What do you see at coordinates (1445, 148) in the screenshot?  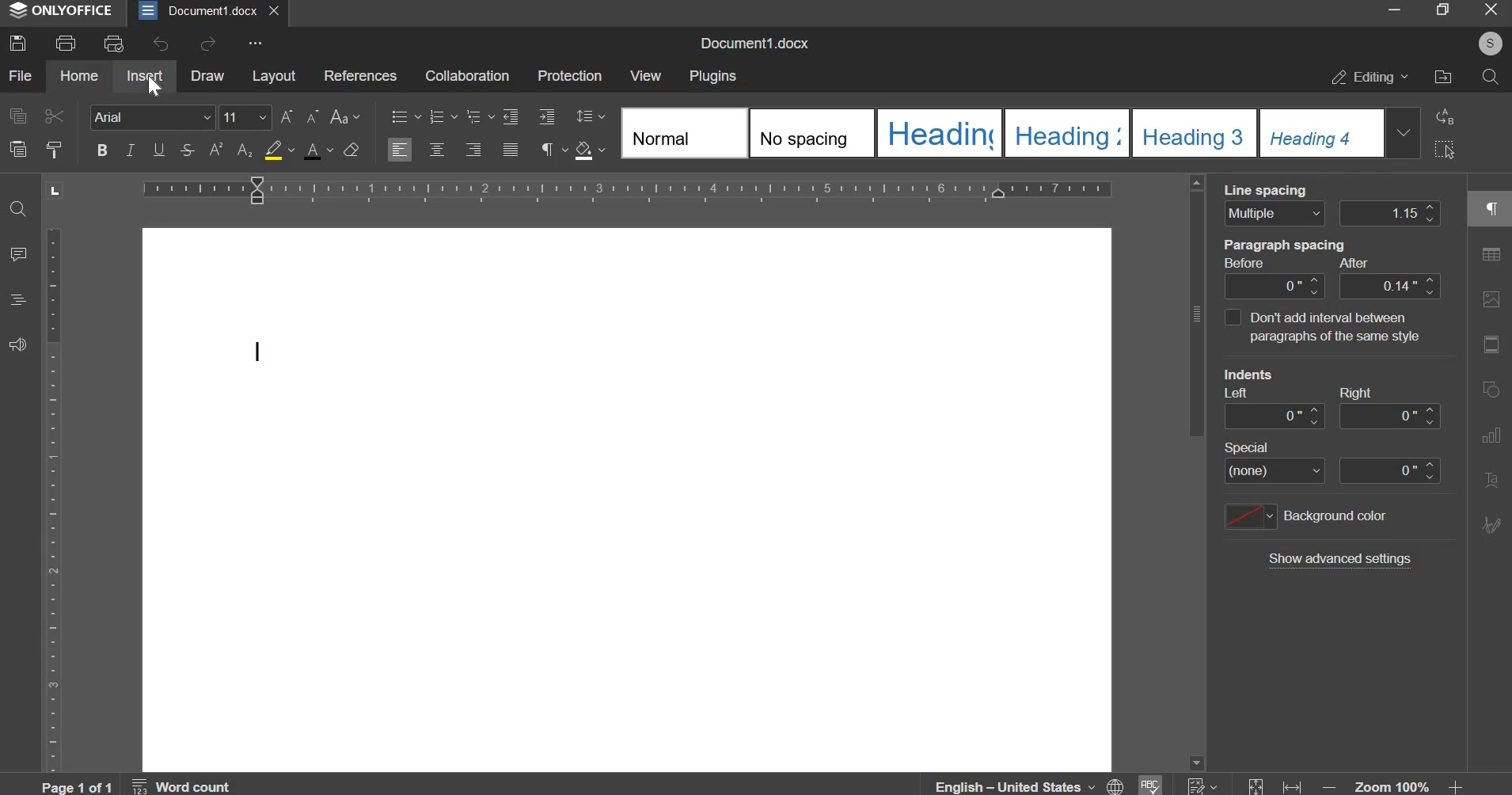 I see `select` at bounding box center [1445, 148].